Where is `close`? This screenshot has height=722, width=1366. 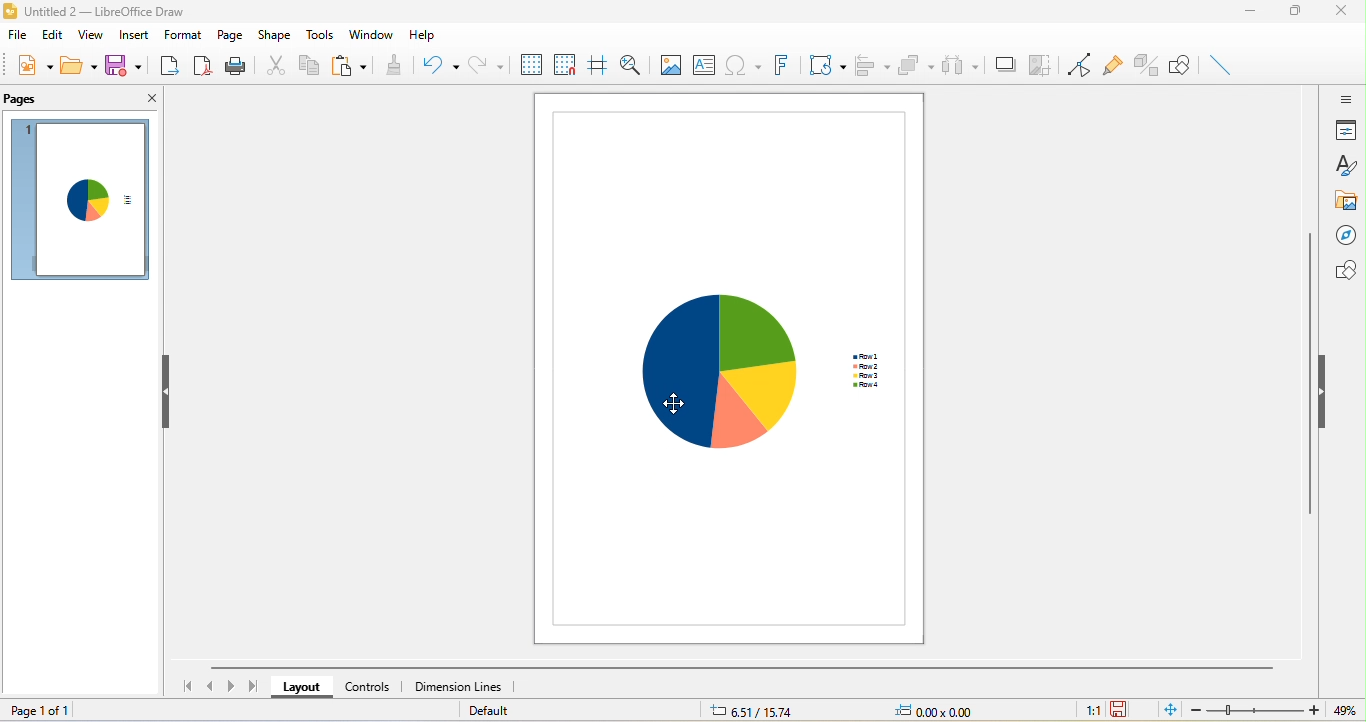
close is located at coordinates (147, 101).